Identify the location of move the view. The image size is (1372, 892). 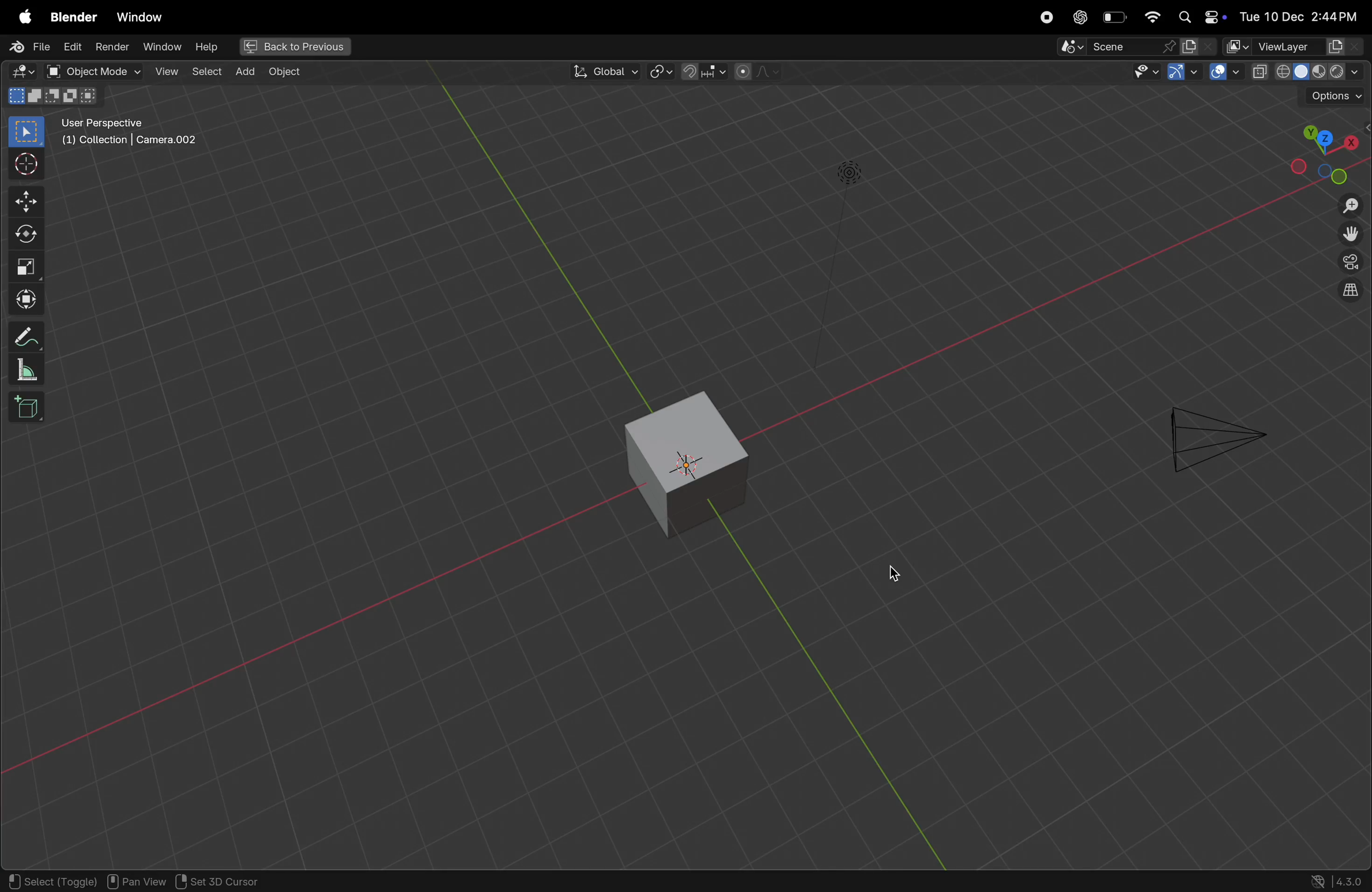
(1350, 236).